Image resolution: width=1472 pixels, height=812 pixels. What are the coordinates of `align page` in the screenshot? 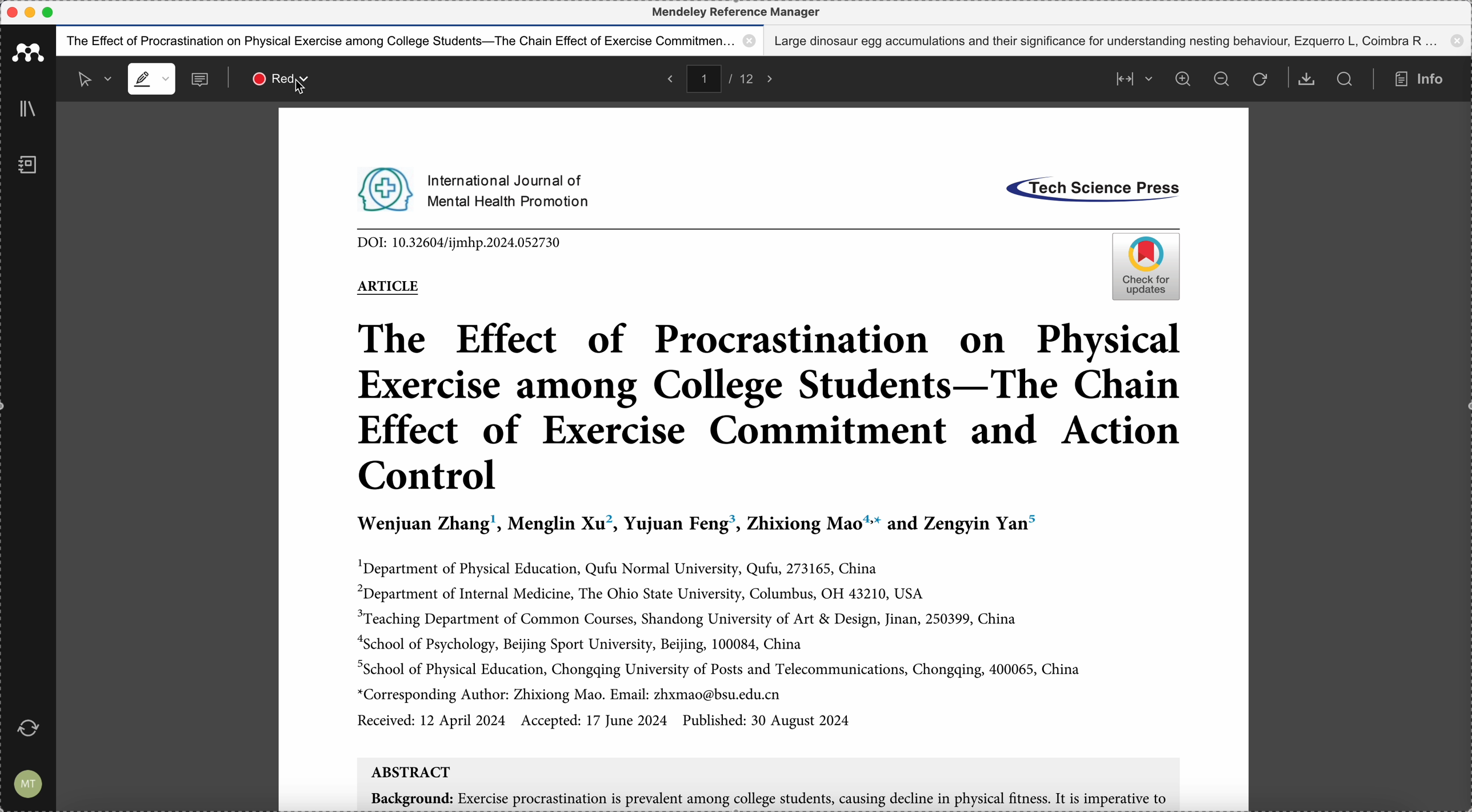 It's located at (1131, 78).